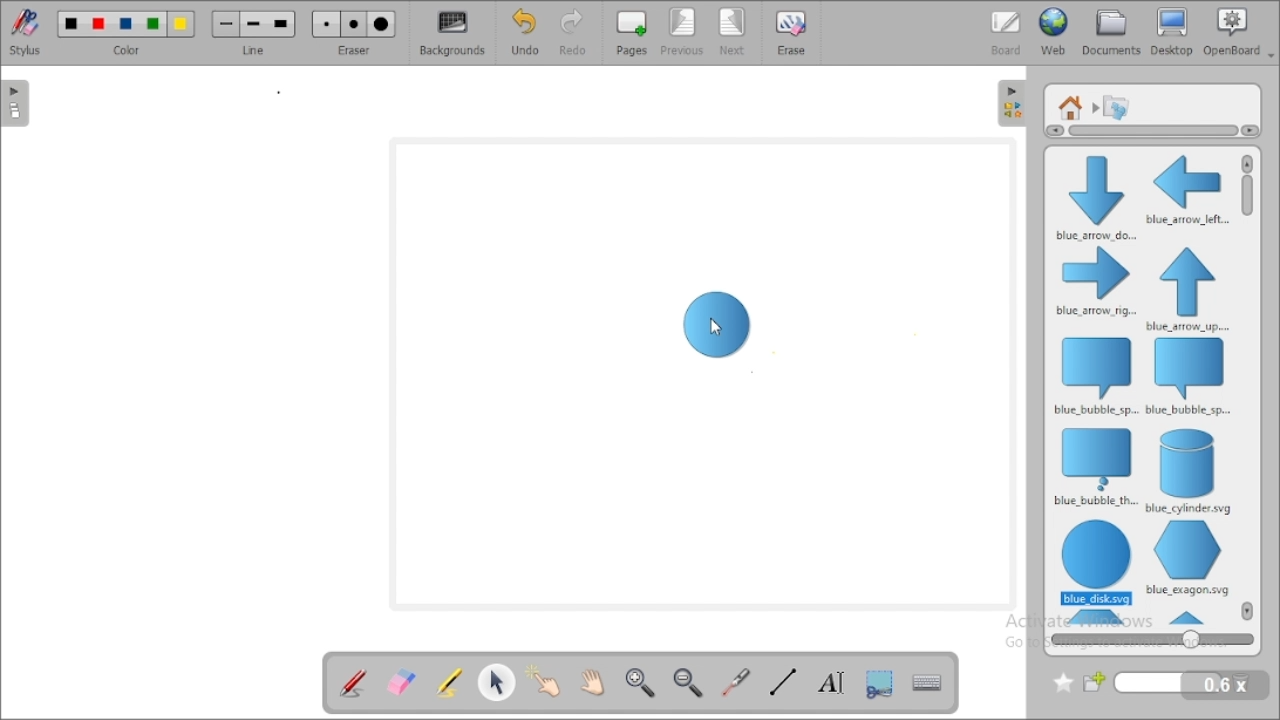  Describe the element at coordinates (126, 32) in the screenshot. I see `color` at that location.